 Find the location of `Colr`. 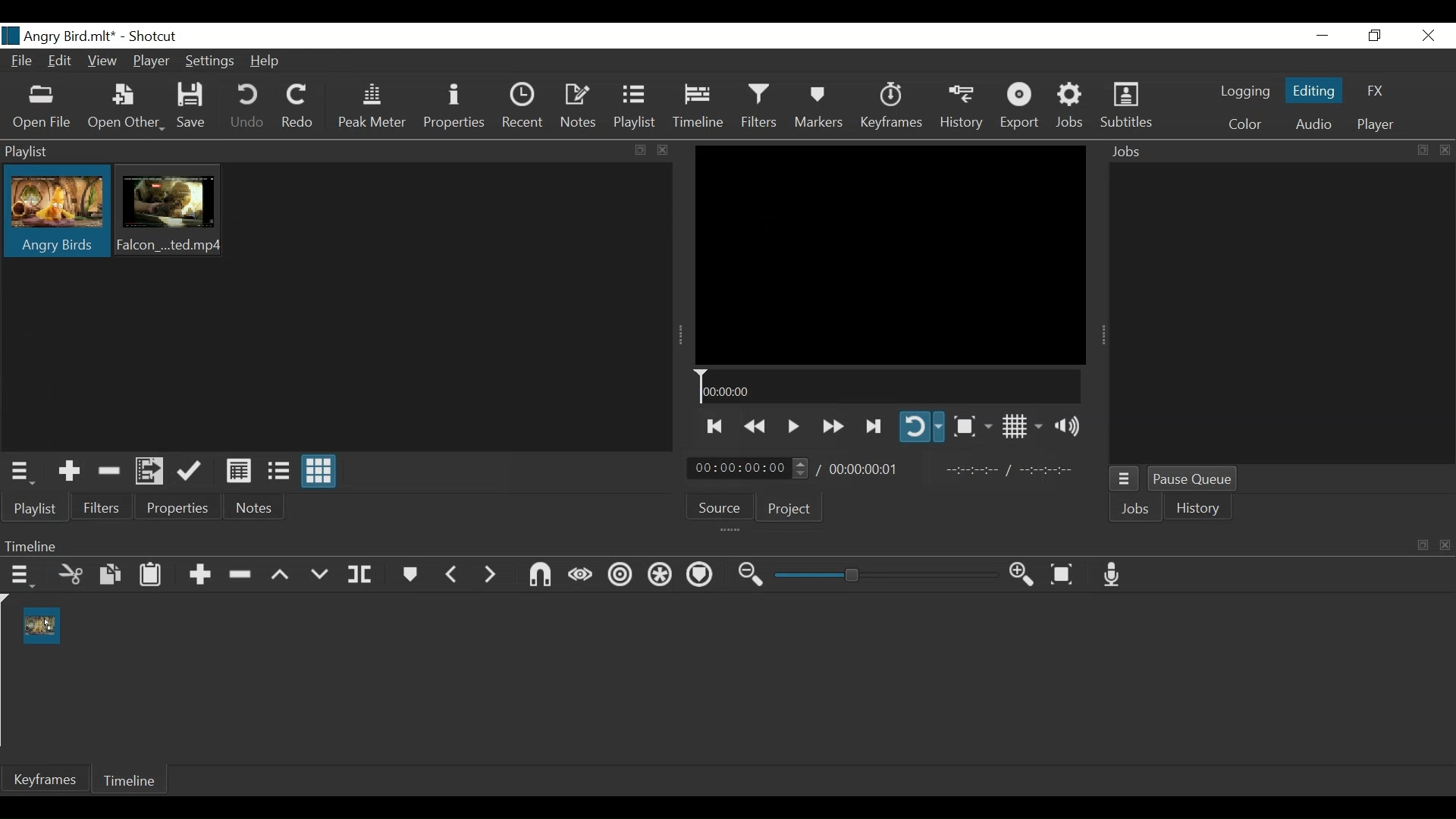

Colr is located at coordinates (1244, 124).